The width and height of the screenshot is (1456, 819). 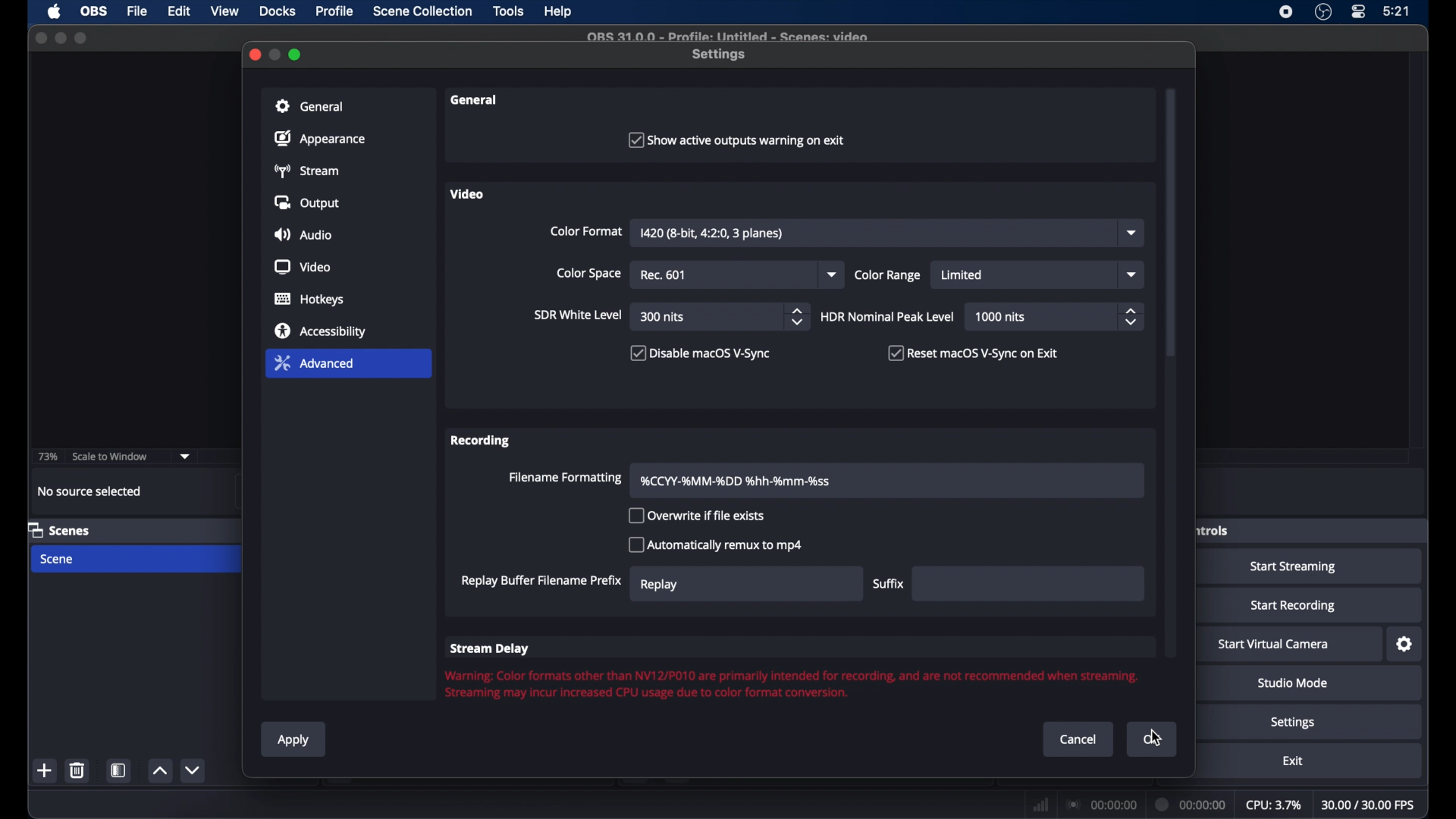 I want to click on scale to window, so click(x=111, y=457).